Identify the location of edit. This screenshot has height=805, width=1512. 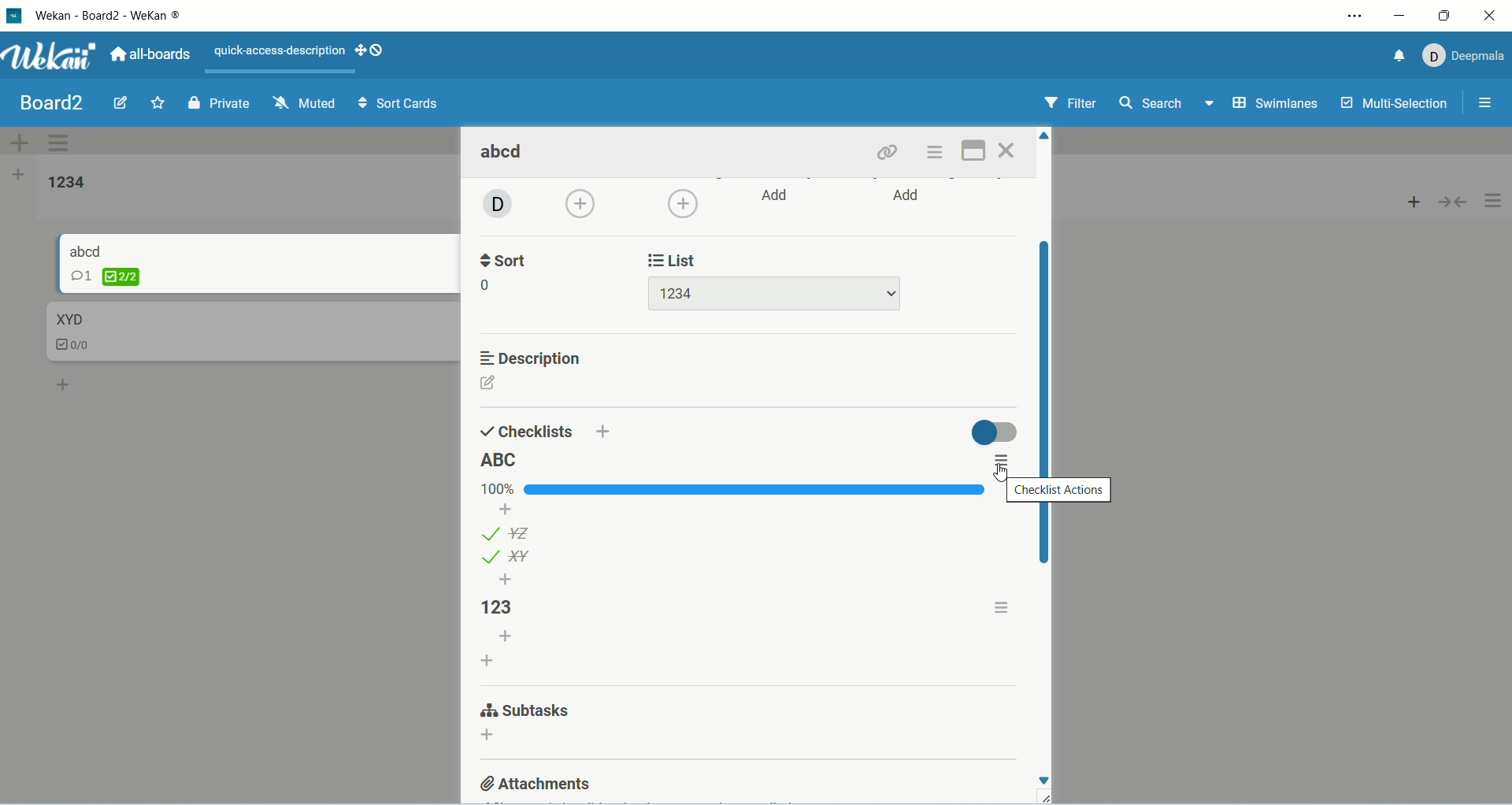
(489, 383).